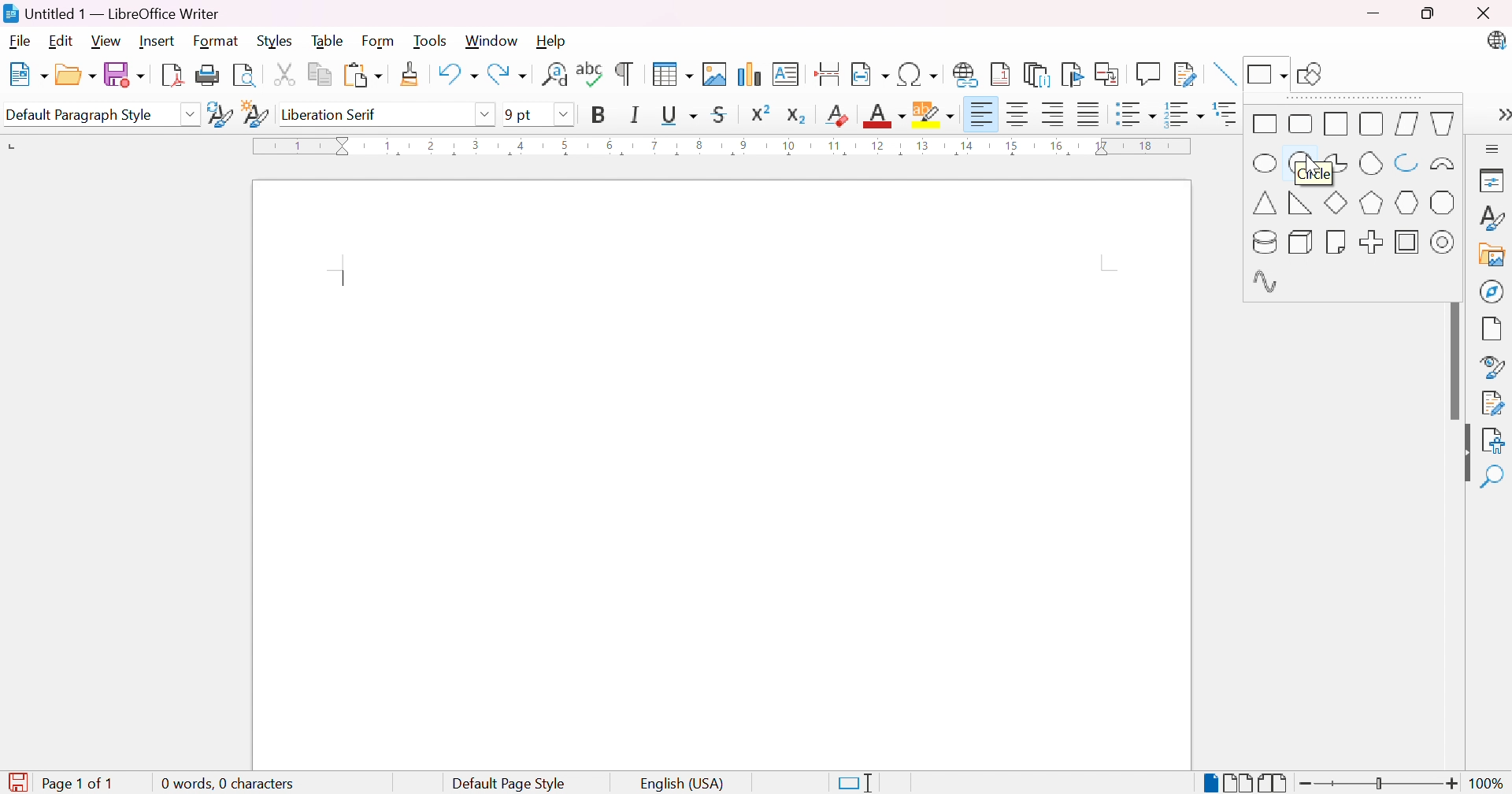  What do you see at coordinates (1266, 124) in the screenshot?
I see `Rectangle` at bounding box center [1266, 124].